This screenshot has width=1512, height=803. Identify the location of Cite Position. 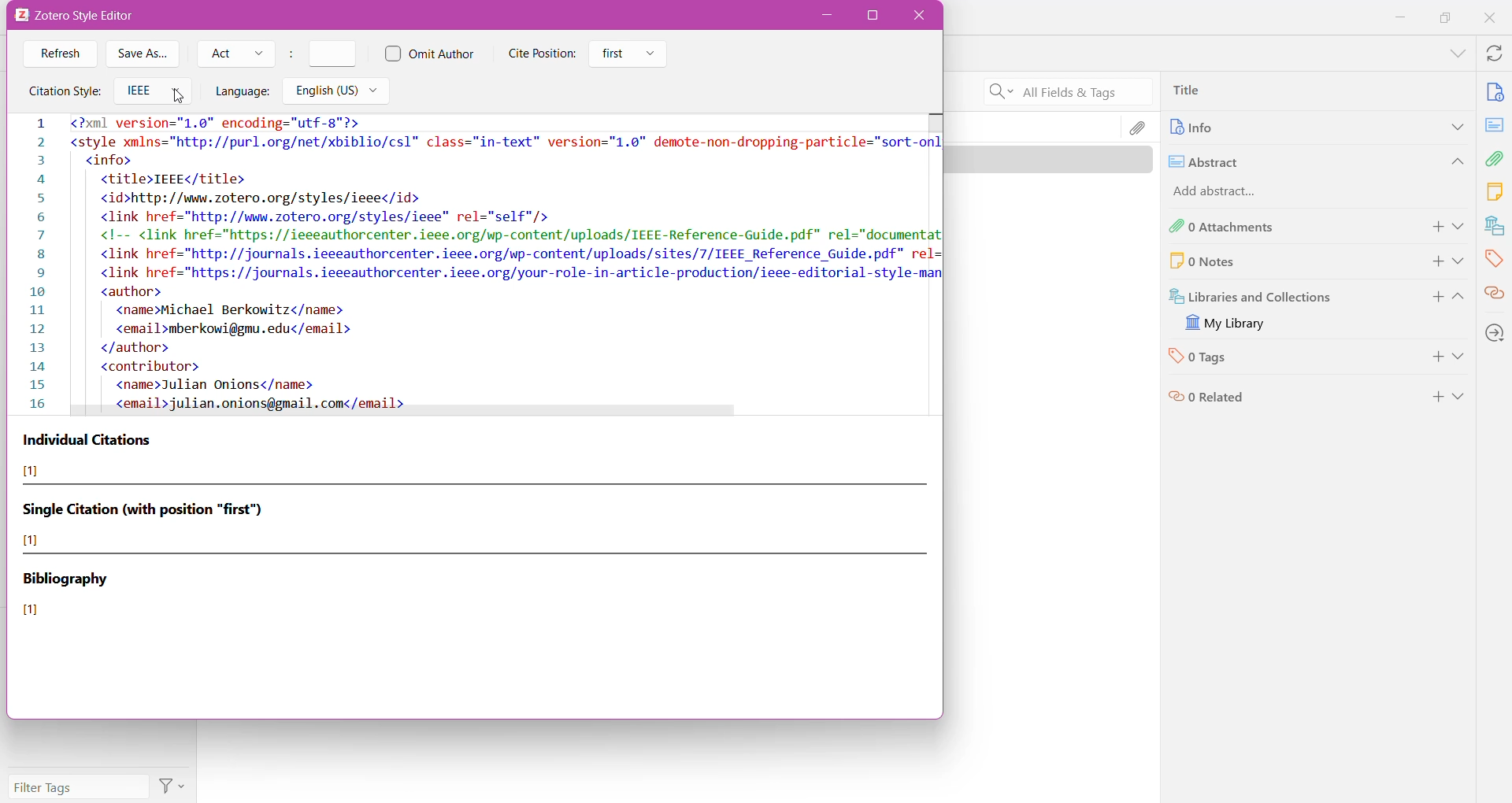
(543, 54).